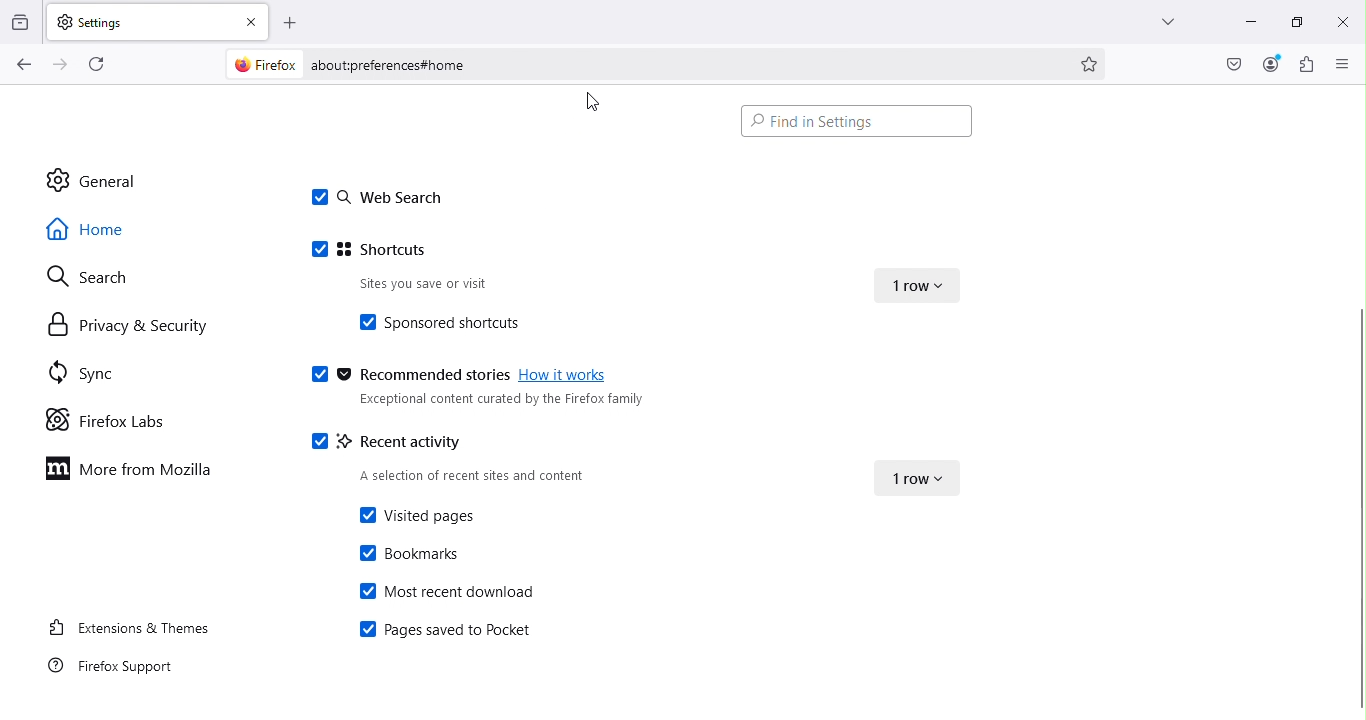  What do you see at coordinates (120, 667) in the screenshot?
I see `Firefox support` at bounding box center [120, 667].